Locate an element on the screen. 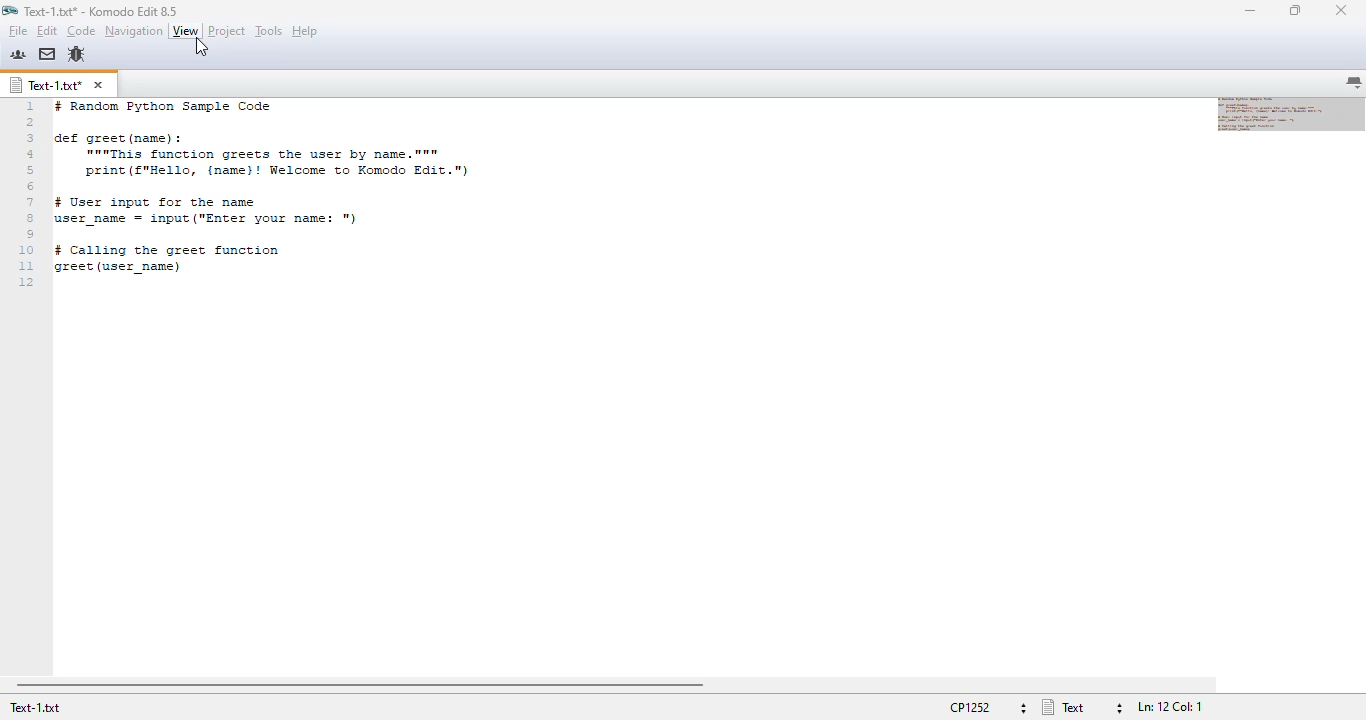 The image size is (1366, 720). cursor is located at coordinates (202, 47).